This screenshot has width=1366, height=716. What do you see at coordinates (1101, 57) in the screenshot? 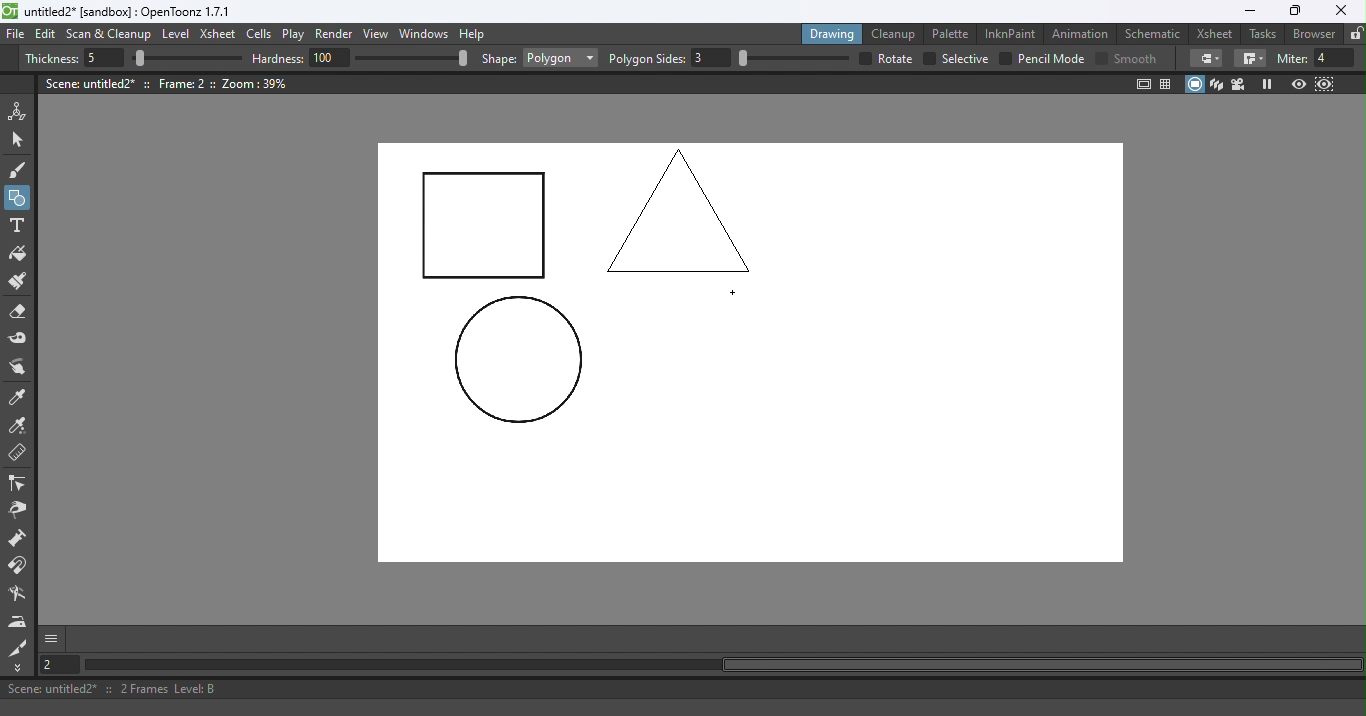
I see `Checkbox ` at bounding box center [1101, 57].